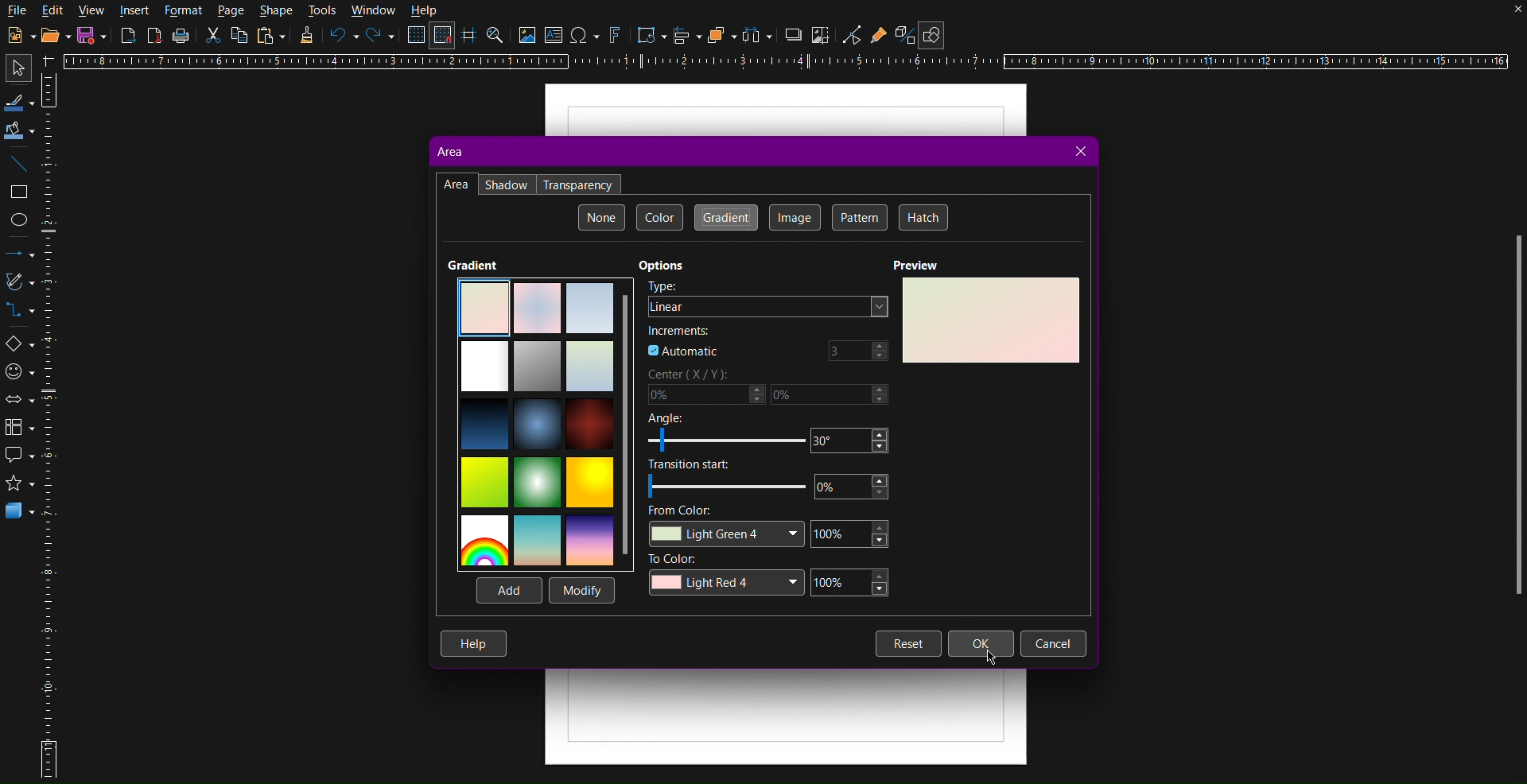 This screenshot has width=1527, height=784. I want to click on Shadow, so click(794, 37).